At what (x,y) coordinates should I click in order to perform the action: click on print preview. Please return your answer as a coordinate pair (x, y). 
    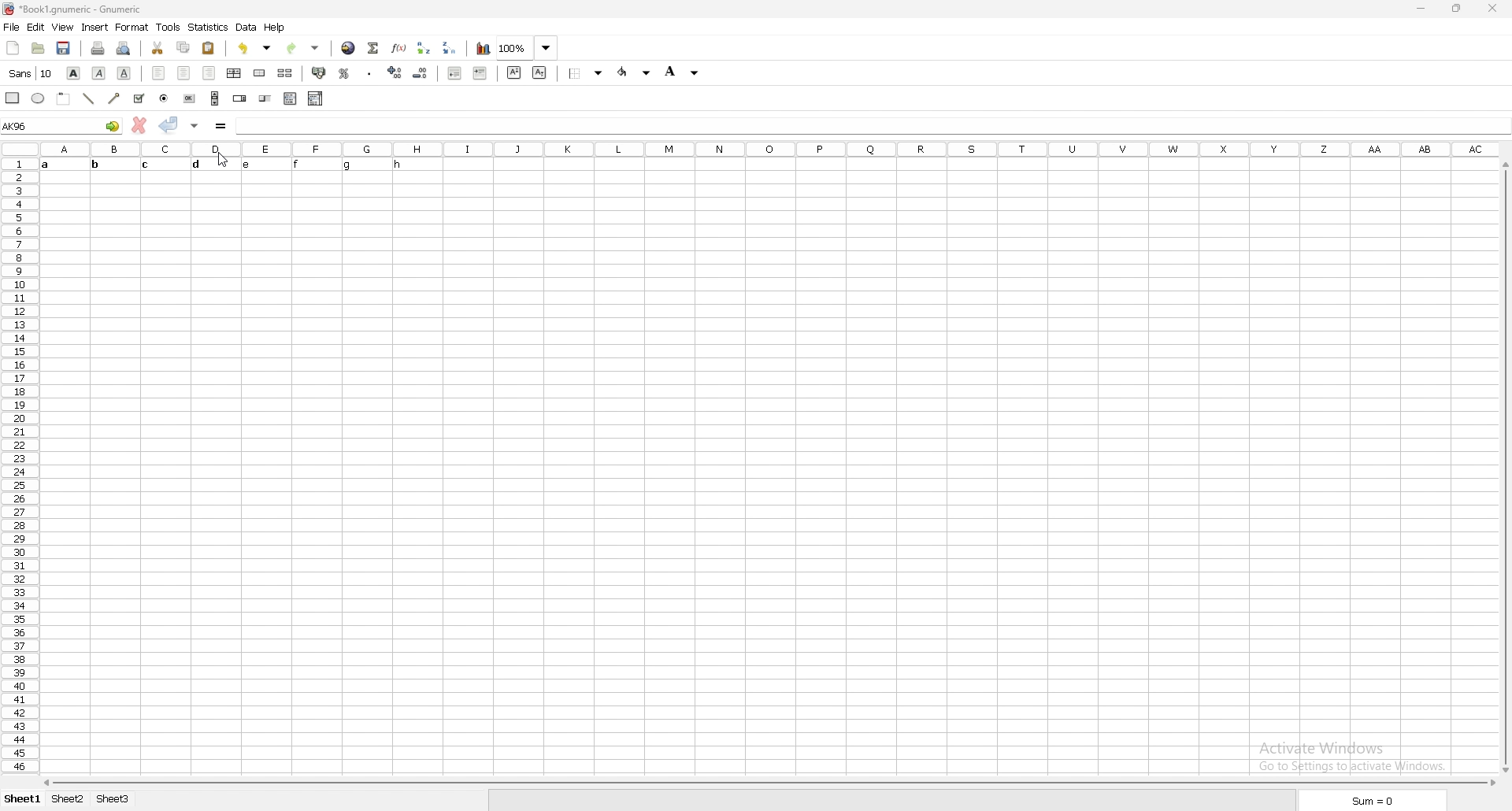
    Looking at the image, I should click on (124, 48).